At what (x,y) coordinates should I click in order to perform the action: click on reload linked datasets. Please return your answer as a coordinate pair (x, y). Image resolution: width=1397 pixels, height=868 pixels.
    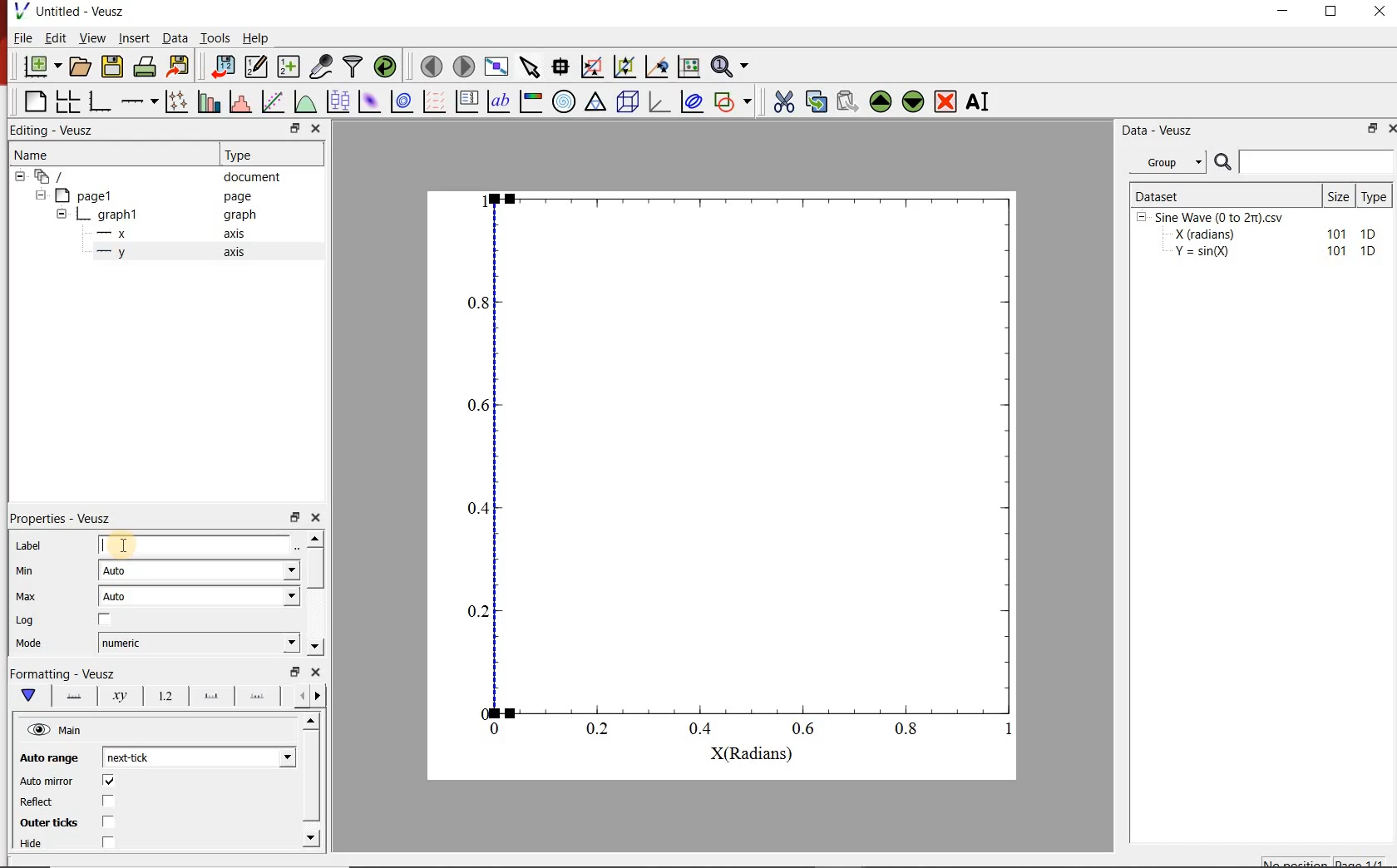
    Looking at the image, I should click on (388, 67).